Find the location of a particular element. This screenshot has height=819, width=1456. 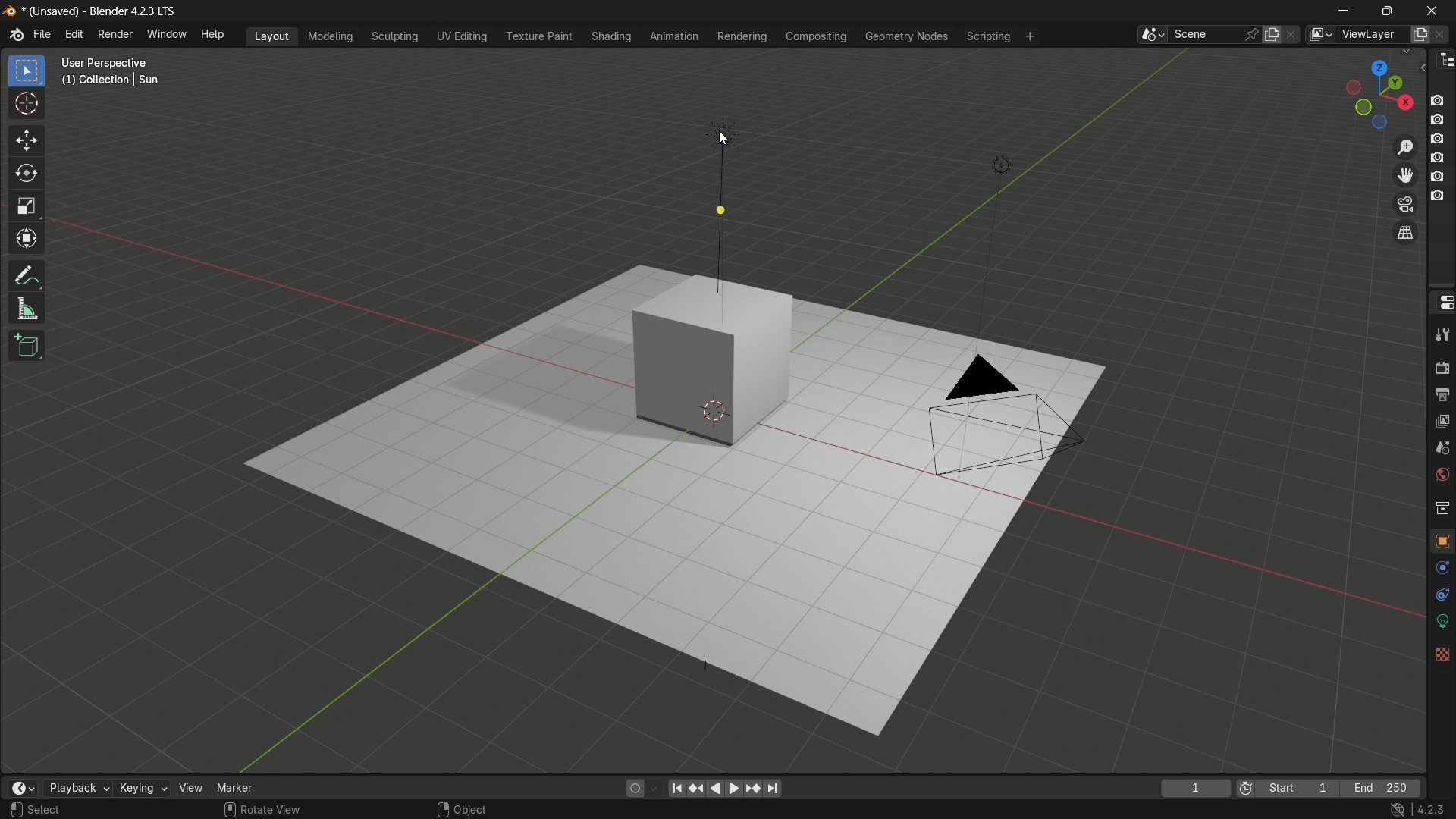

* (Unsaved) - Blender 4.2.3 LTS is located at coordinates (102, 12).